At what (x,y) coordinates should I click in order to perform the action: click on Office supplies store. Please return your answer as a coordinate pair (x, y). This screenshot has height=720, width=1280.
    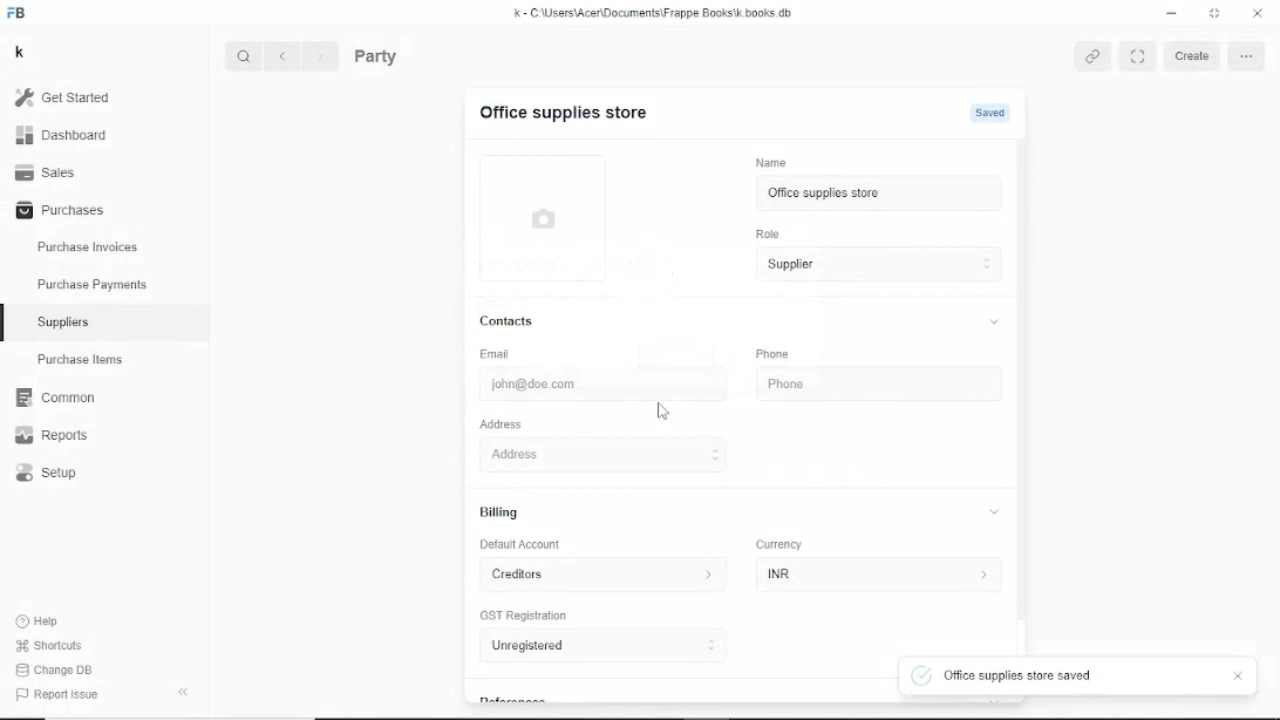
    Looking at the image, I should click on (878, 195).